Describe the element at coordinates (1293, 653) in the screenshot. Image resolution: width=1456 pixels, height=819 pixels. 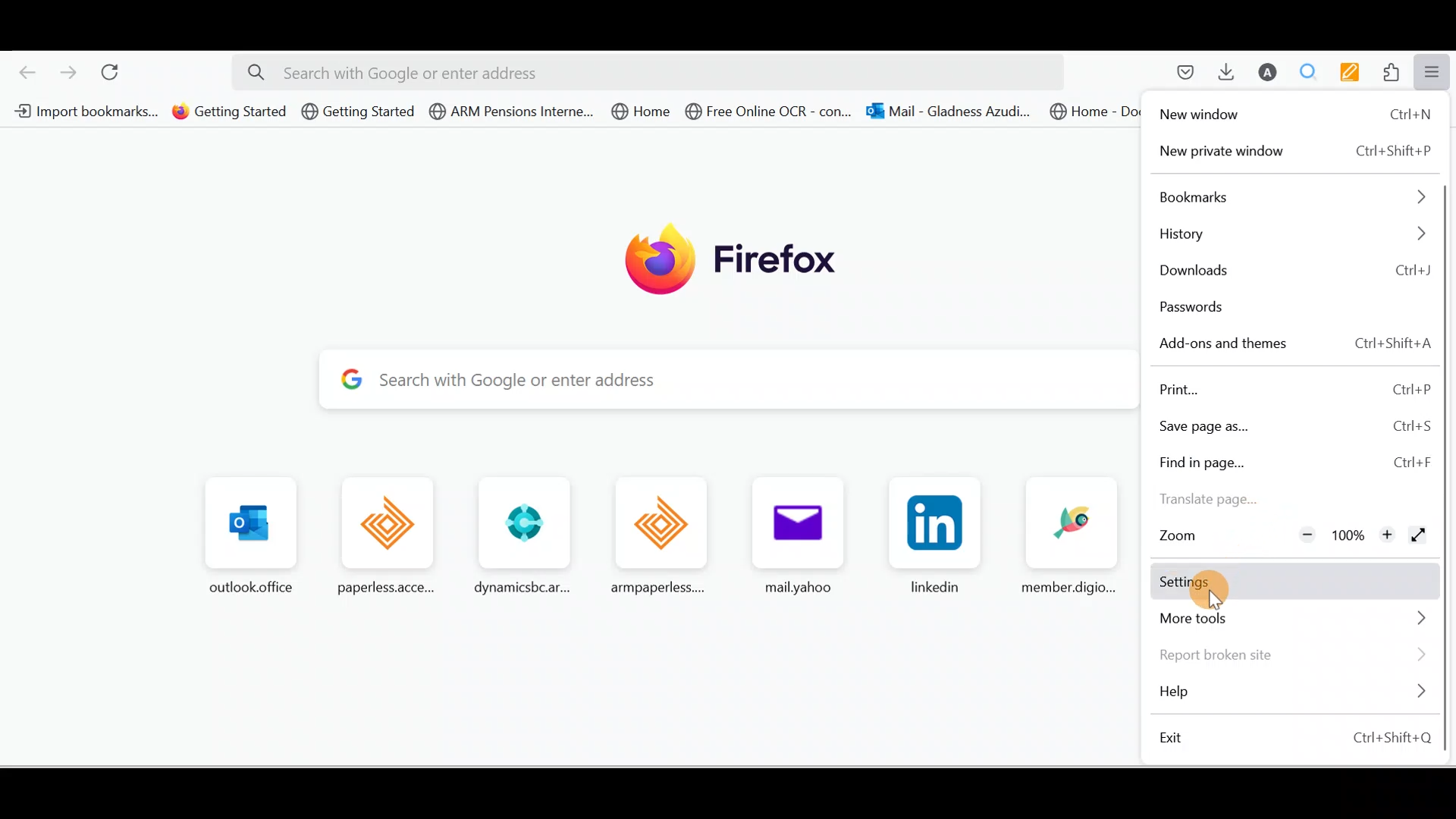
I see `Report broken site` at that location.